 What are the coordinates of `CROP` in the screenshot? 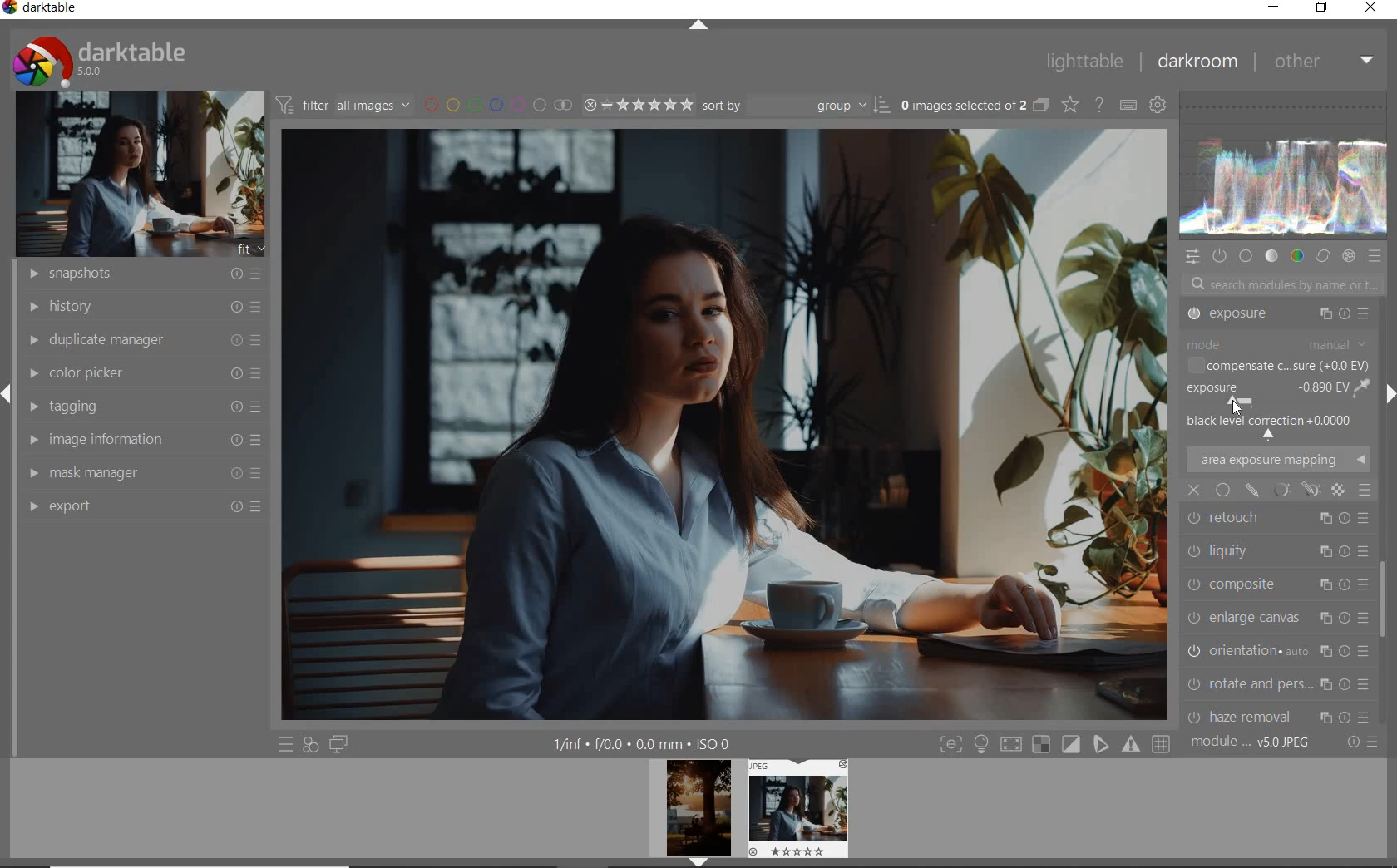 It's located at (1277, 317).